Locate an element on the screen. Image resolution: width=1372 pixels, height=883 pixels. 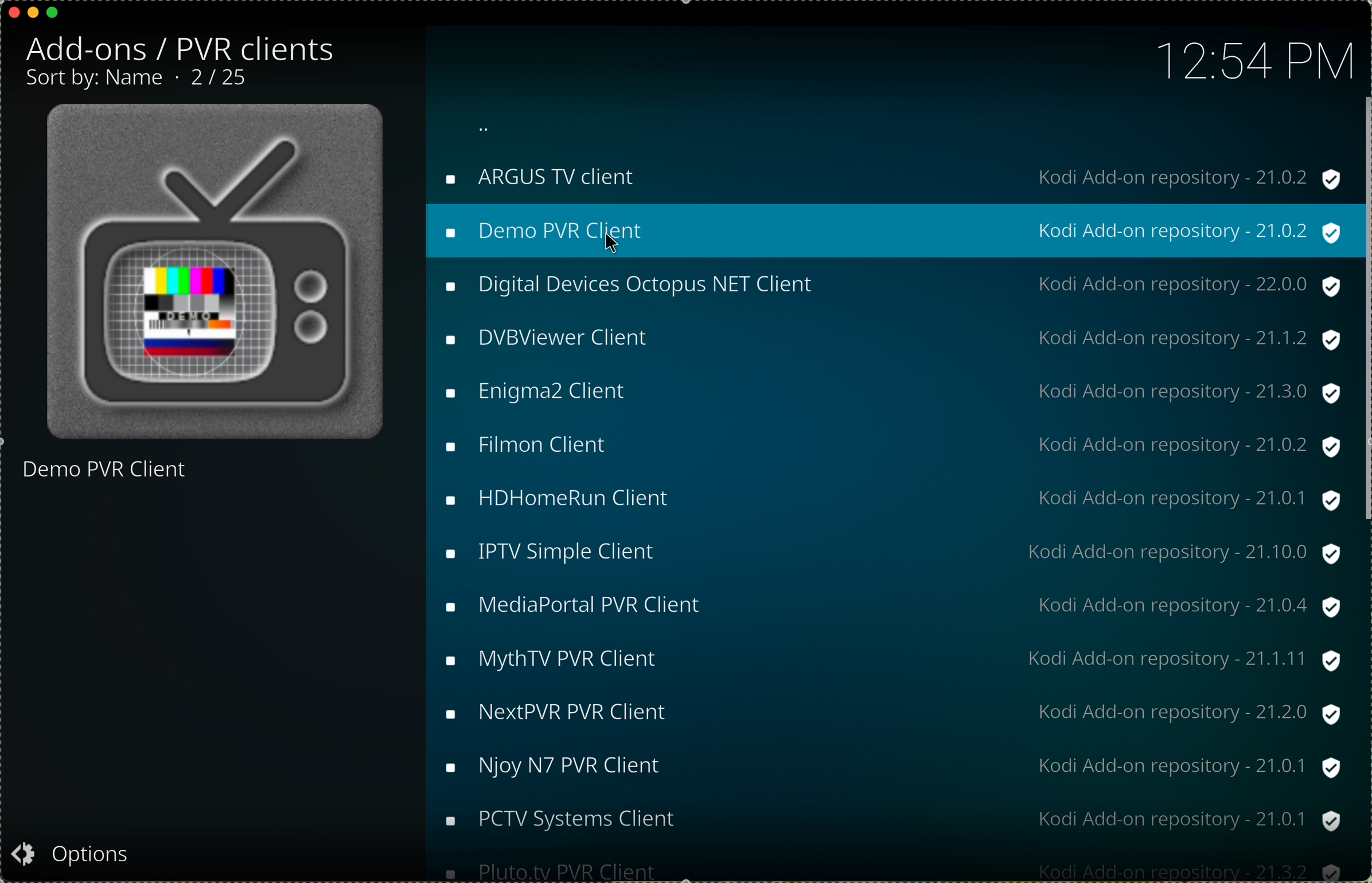
NextPVR PVR Client is located at coordinates (572, 712).